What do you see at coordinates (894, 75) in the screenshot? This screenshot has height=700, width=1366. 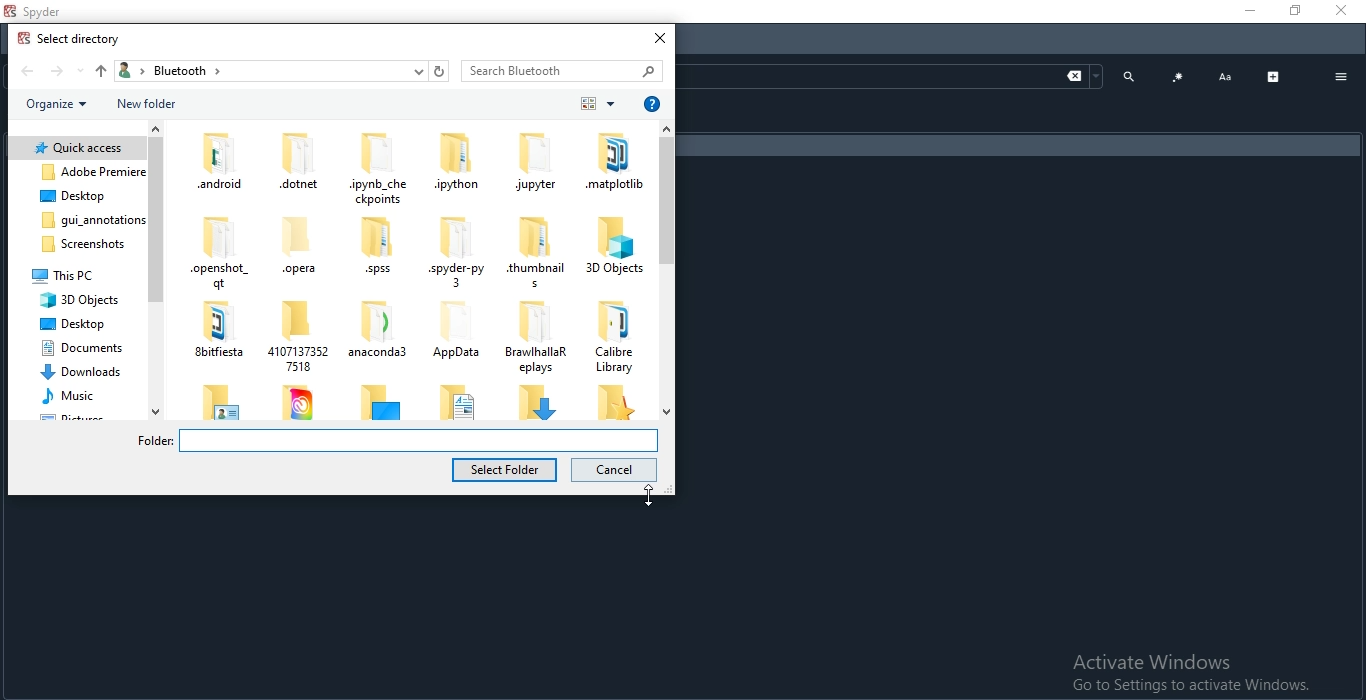 I see `search bar` at bounding box center [894, 75].